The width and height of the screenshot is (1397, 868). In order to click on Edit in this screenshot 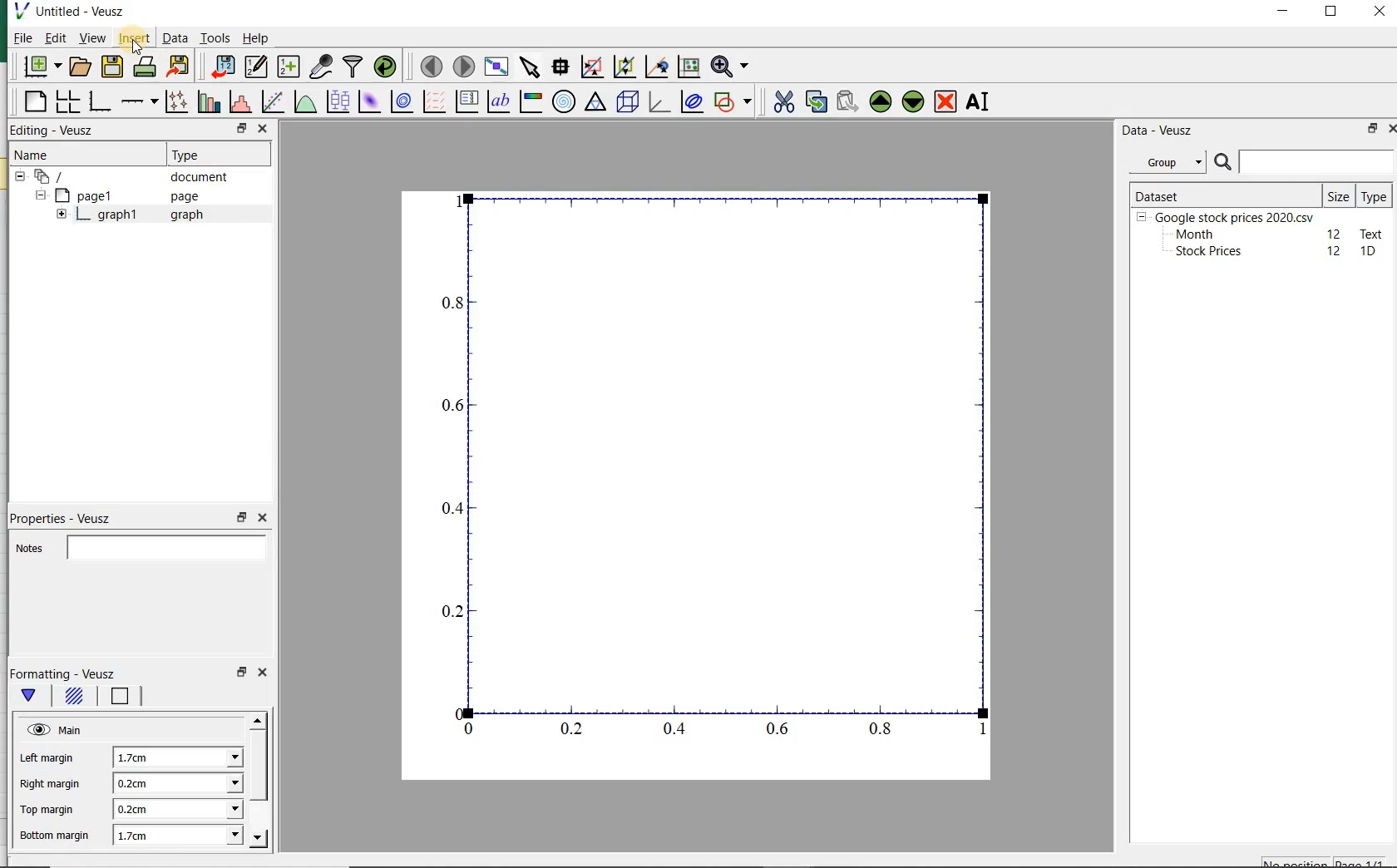, I will do `click(54, 37)`.